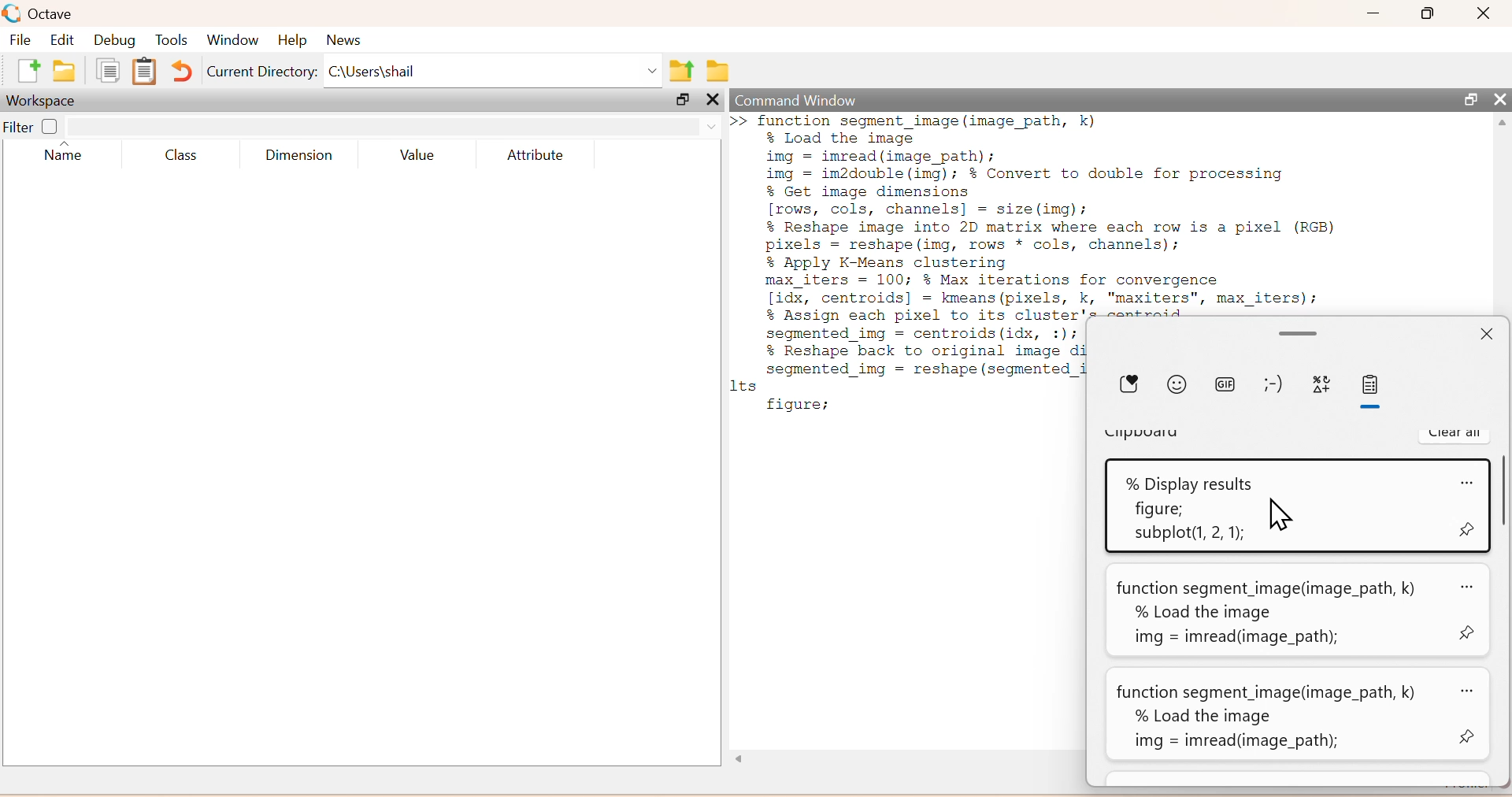 The height and width of the screenshot is (797, 1512). Describe the element at coordinates (1303, 717) in the screenshot. I see `function segment_image(image_path, k) az% Load the imageimg = imread(image_path); ` at that location.